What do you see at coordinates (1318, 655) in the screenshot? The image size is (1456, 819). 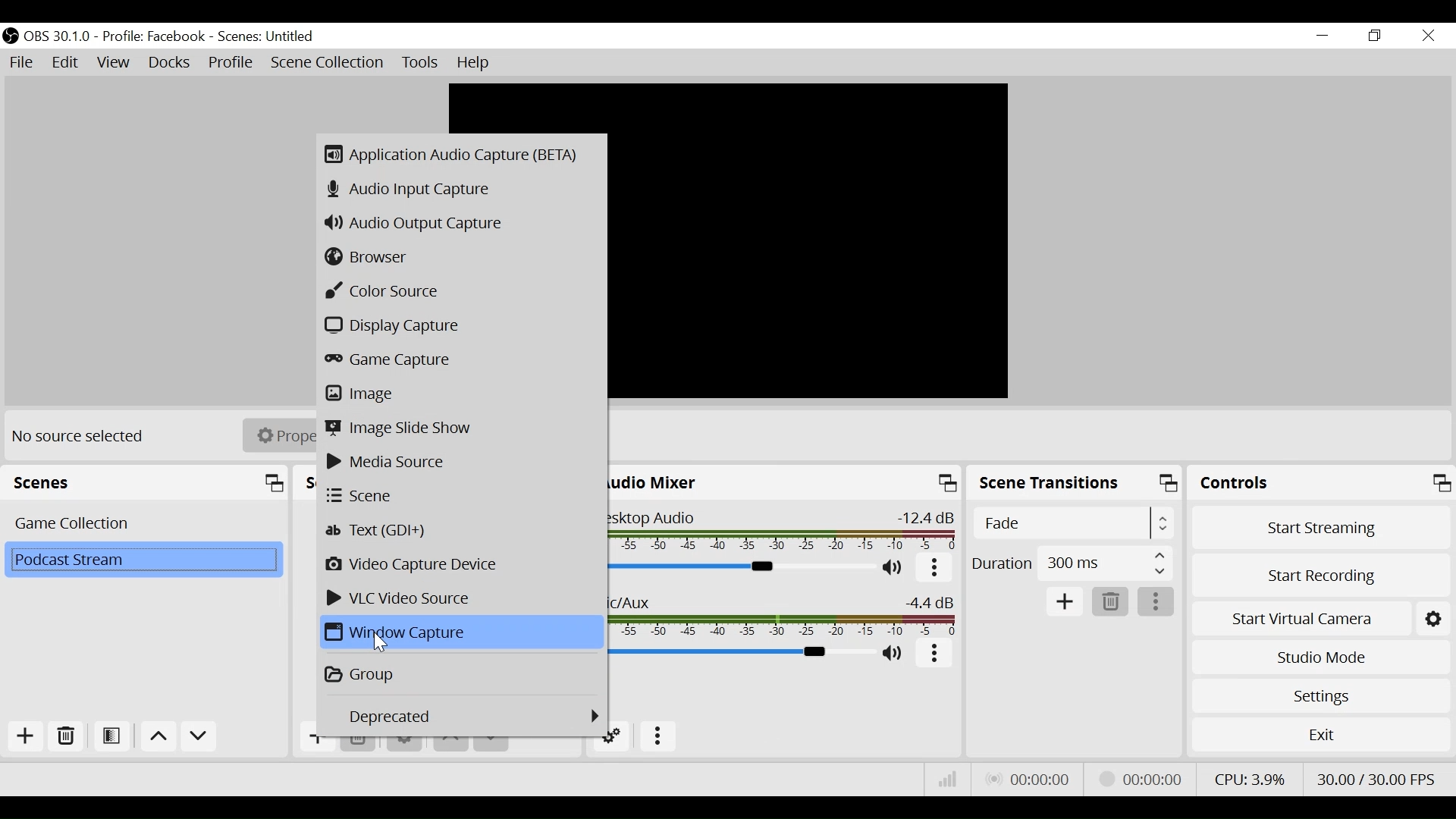 I see `Studio Mode` at bounding box center [1318, 655].